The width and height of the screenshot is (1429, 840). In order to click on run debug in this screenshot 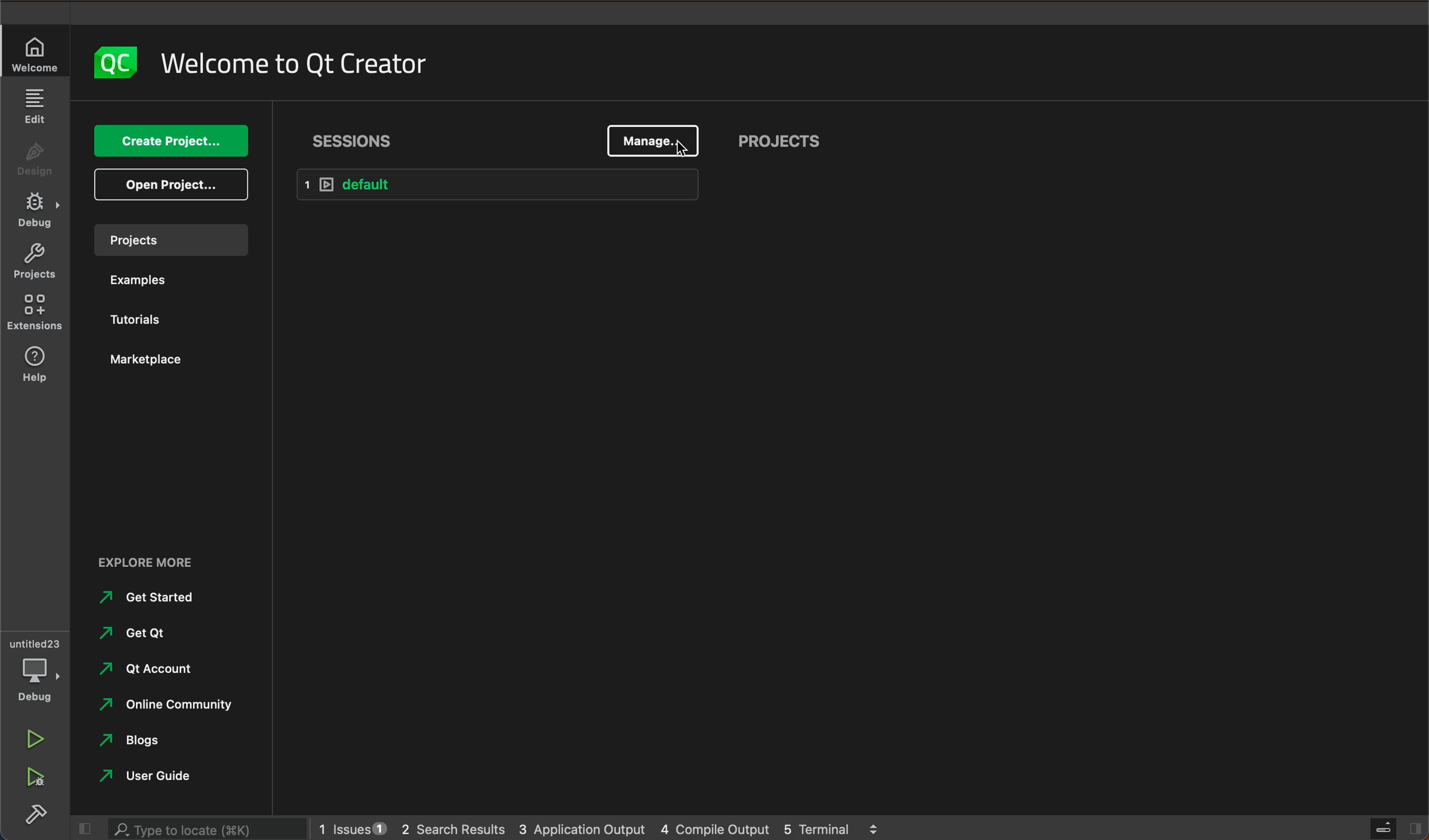, I will do `click(33, 777)`.